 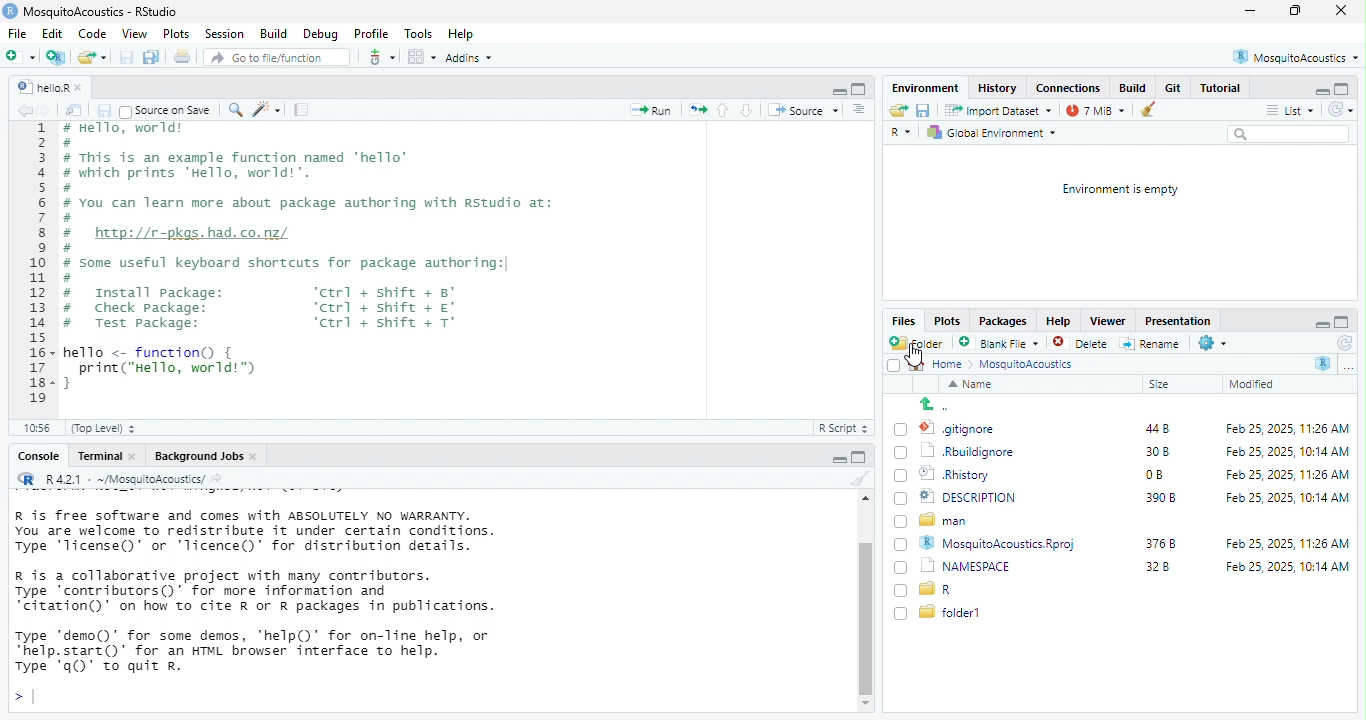 What do you see at coordinates (1257, 384) in the screenshot?
I see `modified` at bounding box center [1257, 384].